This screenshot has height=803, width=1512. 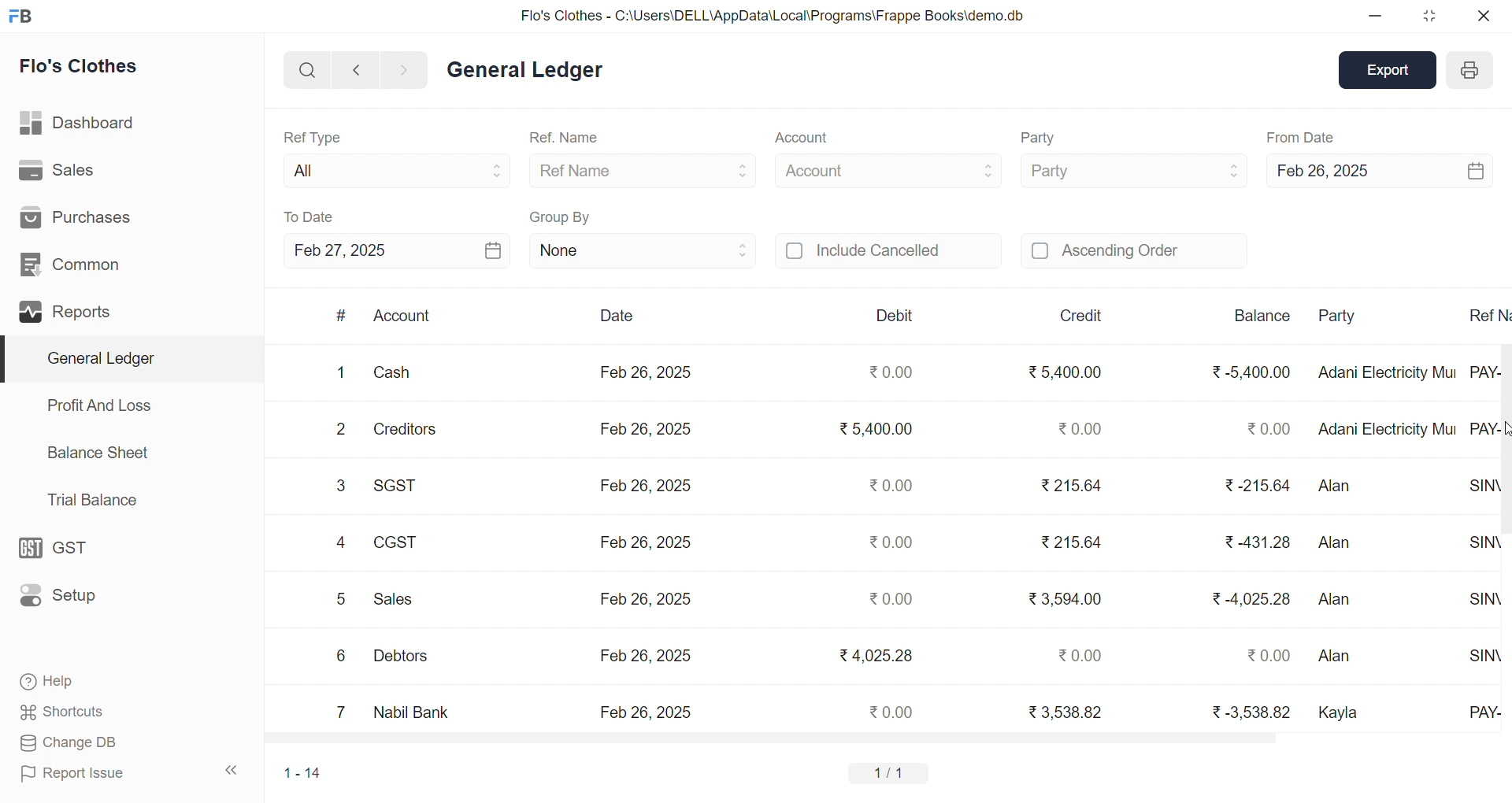 What do you see at coordinates (800, 139) in the screenshot?
I see `Account` at bounding box center [800, 139].